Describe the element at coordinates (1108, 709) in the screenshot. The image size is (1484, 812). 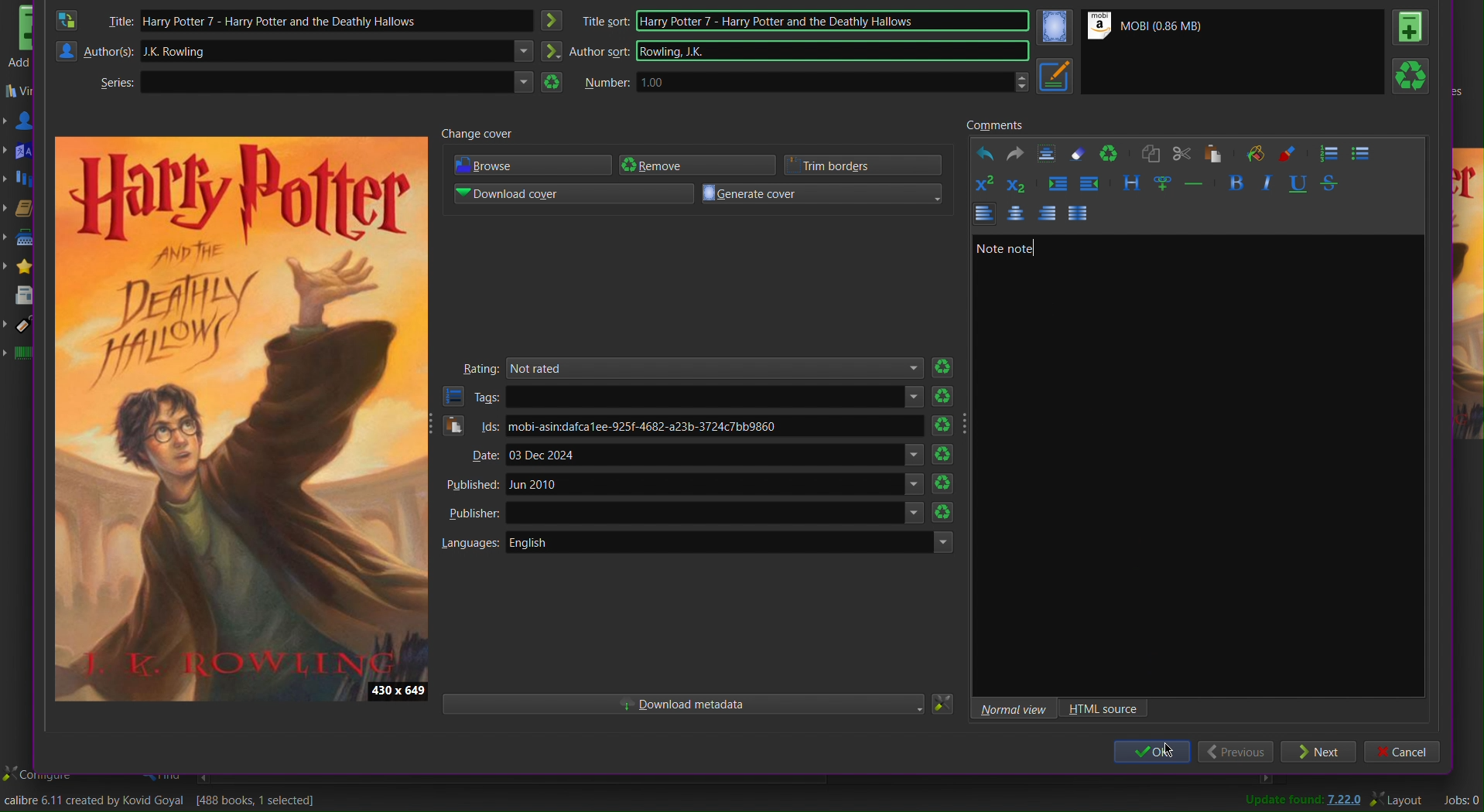
I see `HTML source` at that location.